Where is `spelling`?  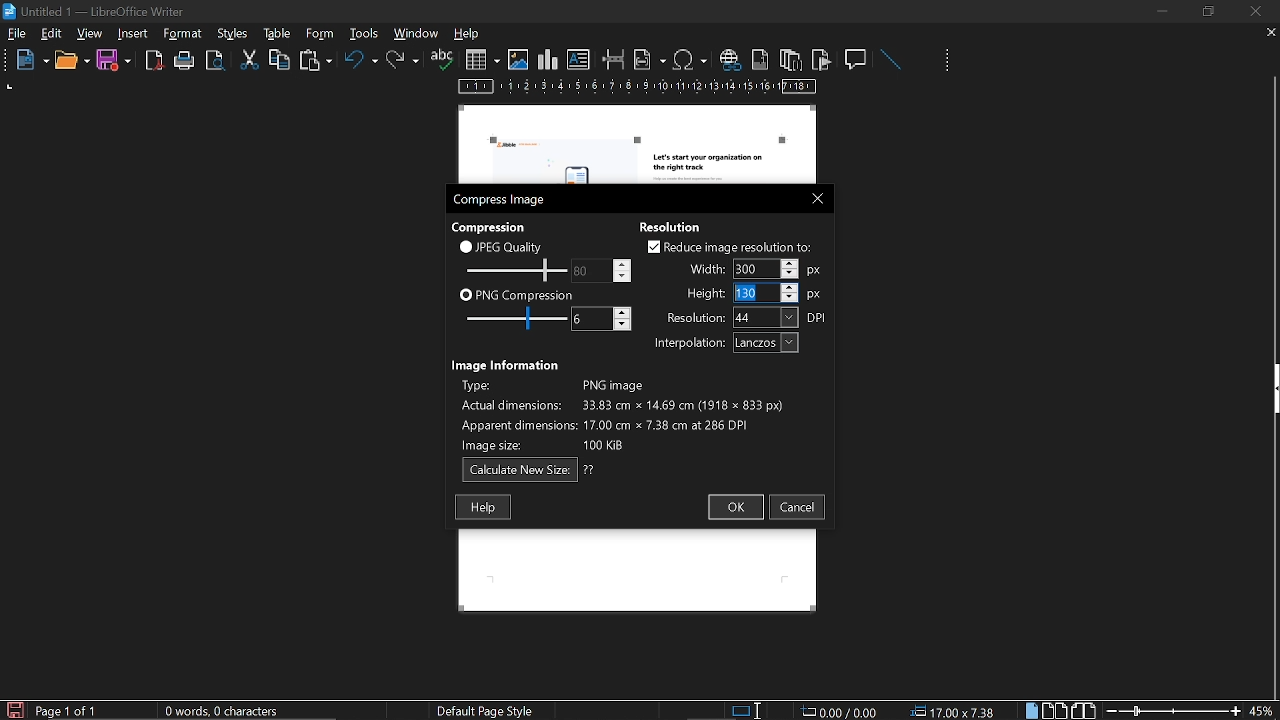
spelling is located at coordinates (442, 60).